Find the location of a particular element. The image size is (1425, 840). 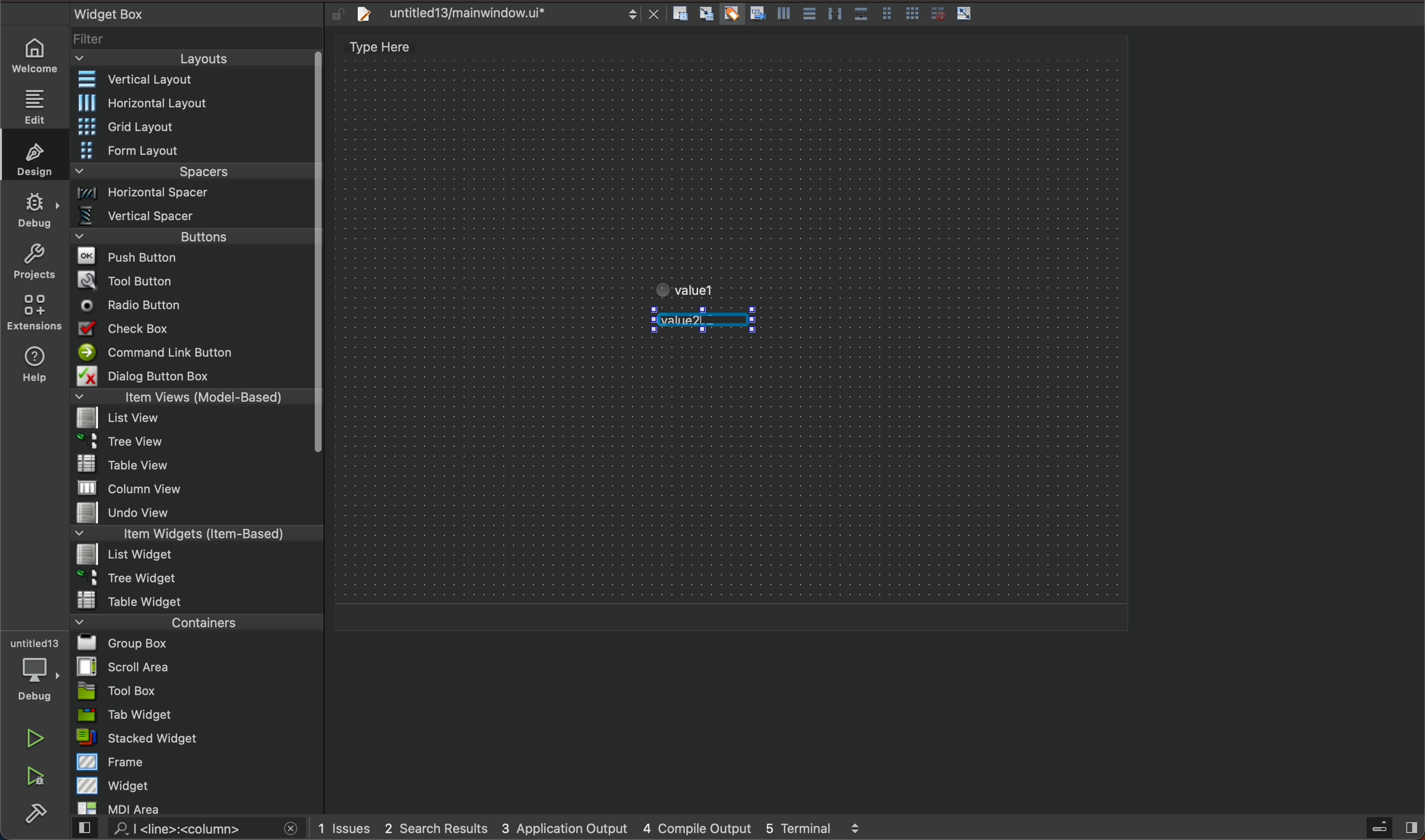

group box is located at coordinates (198, 642).